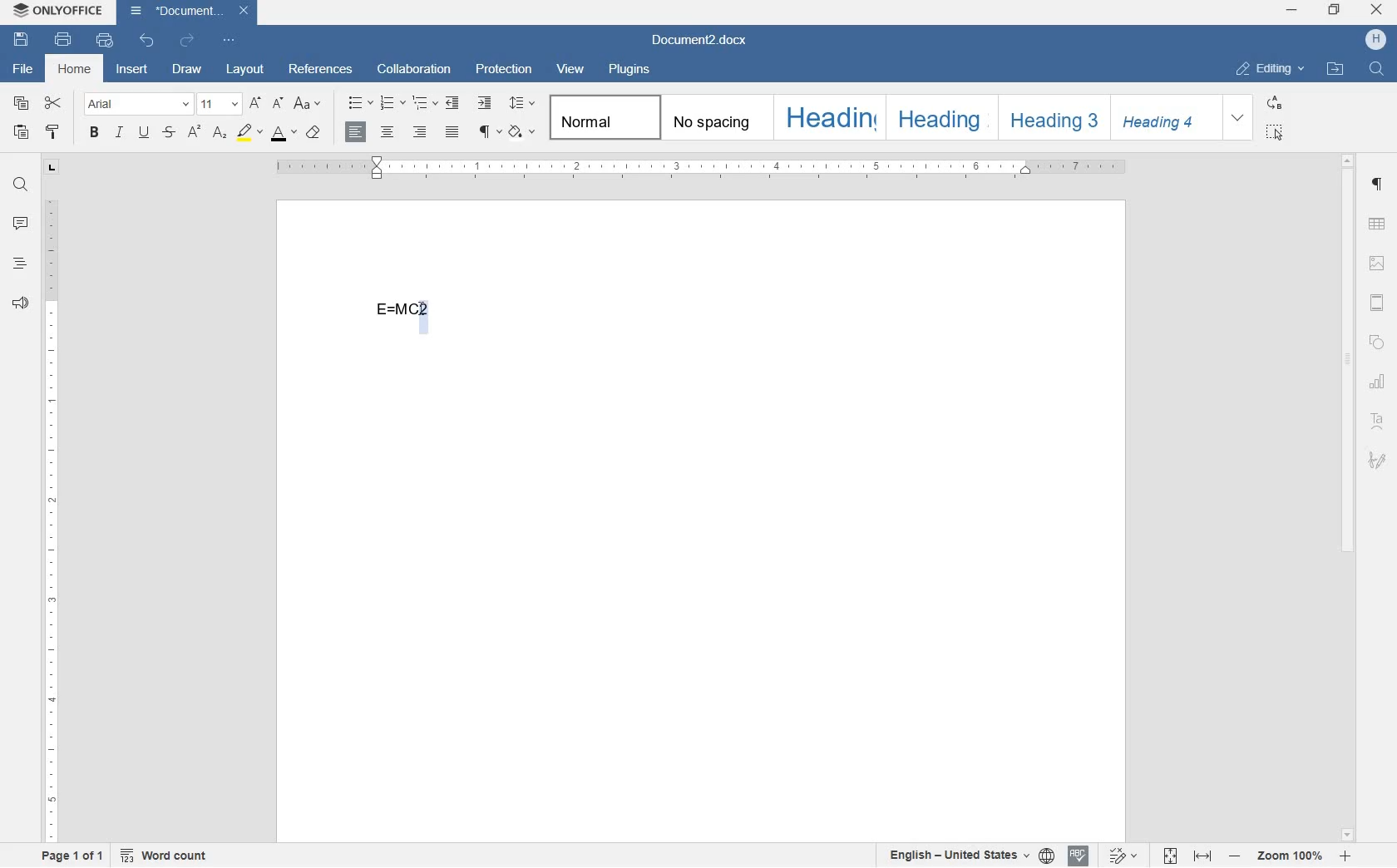 The width and height of the screenshot is (1397, 868). What do you see at coordinates (93, 131) in the screenshot?
I see `bold` at bounding box center [93, 131].